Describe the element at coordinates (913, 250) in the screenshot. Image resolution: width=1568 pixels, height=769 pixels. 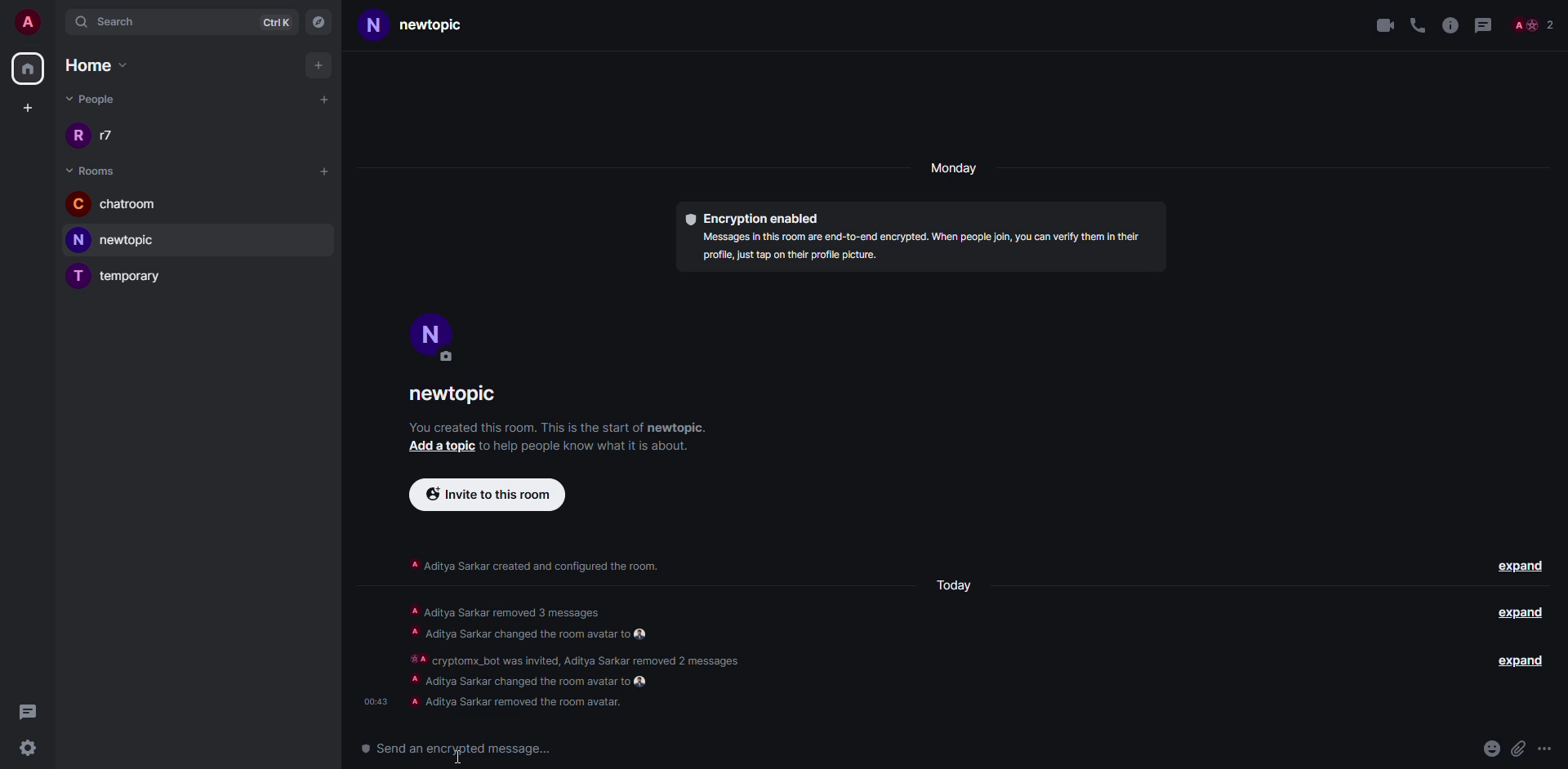
I see `Messages in this room are end-to-end encrypted. When people join, you can verify them In theirprofile, just tap on their profile picture.` at that location.